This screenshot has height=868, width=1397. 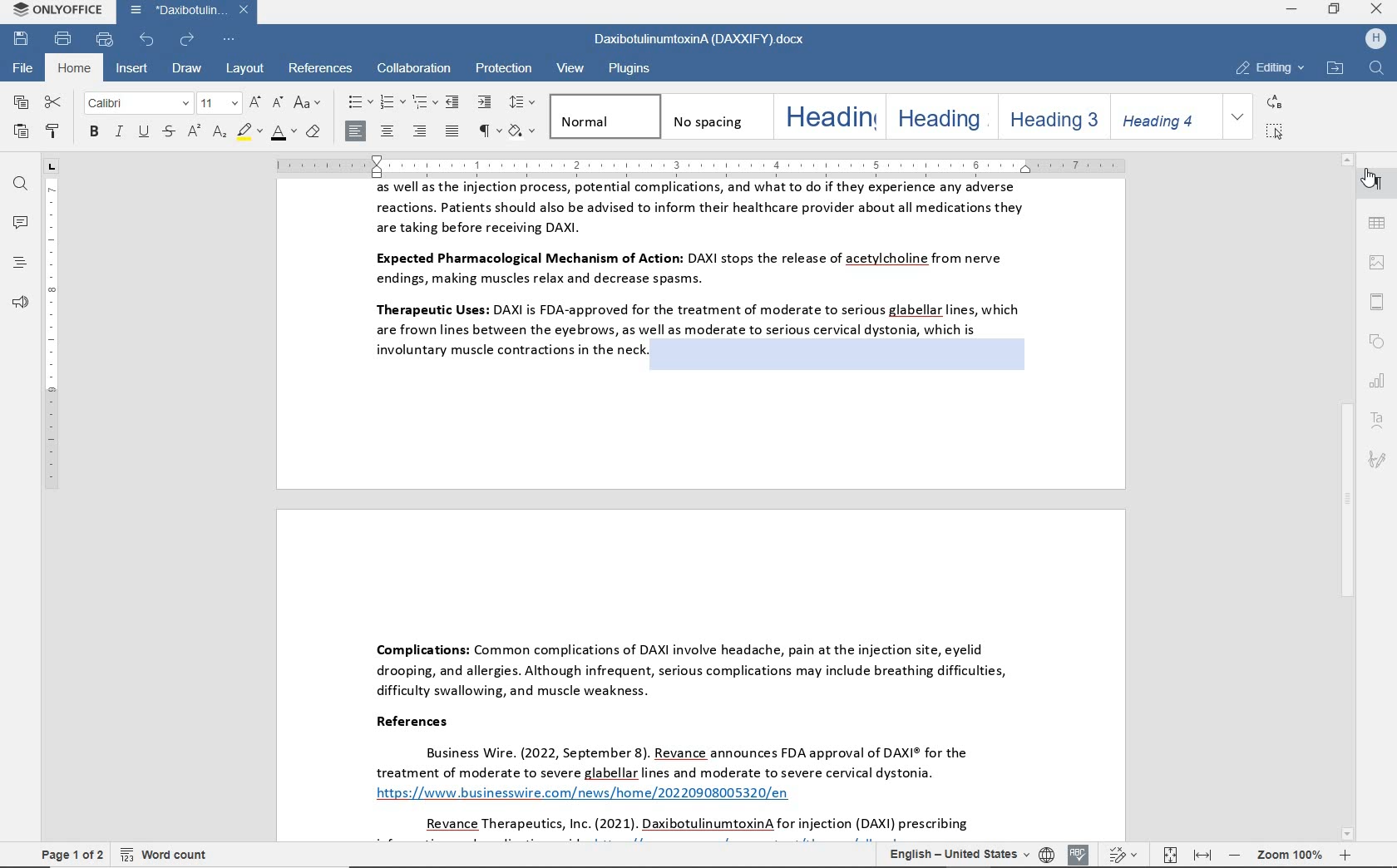 What do you see at coordinates (148, 39) in the screenshot?
I see `undo` at bounding box center [148, 39].